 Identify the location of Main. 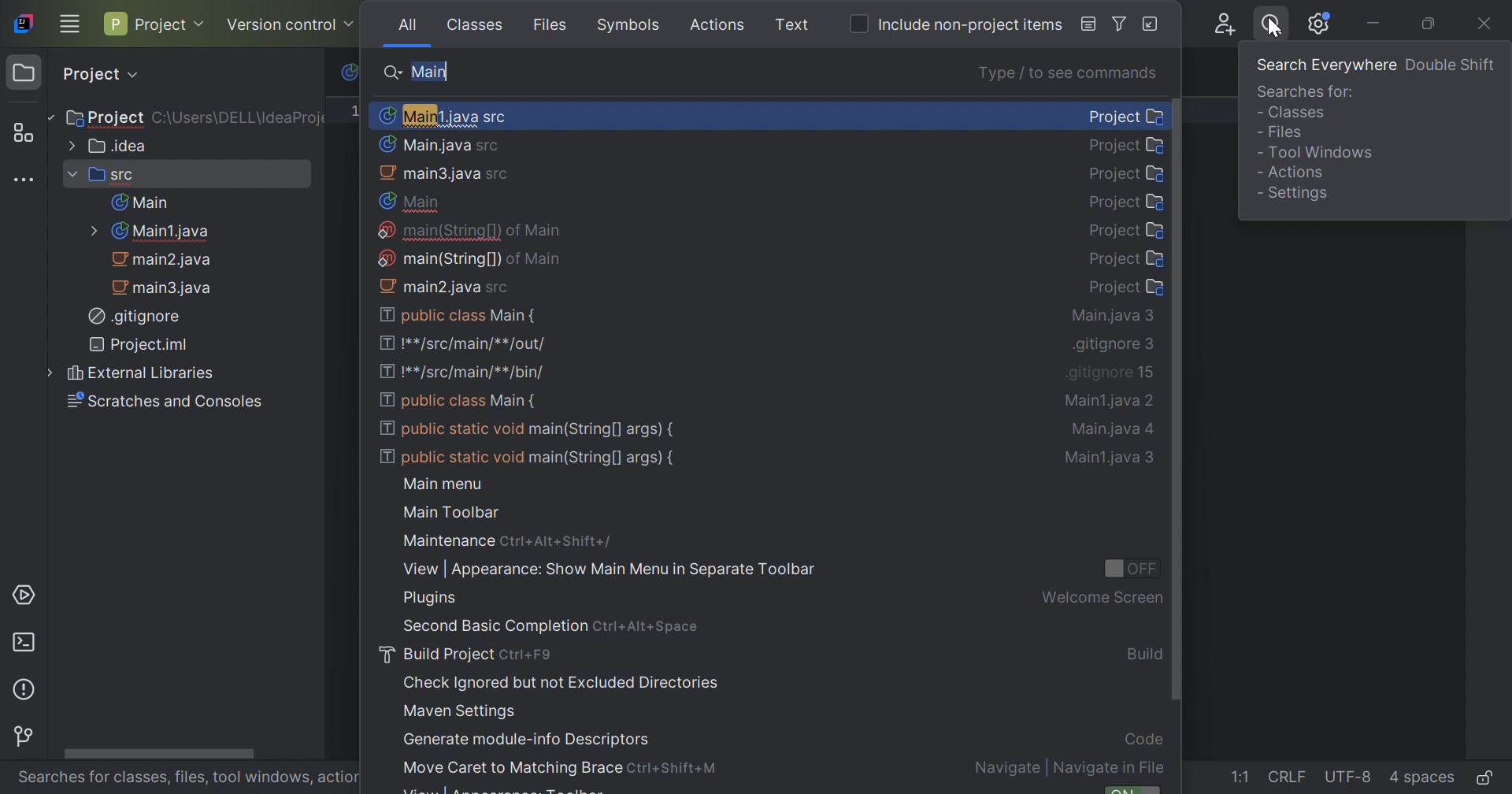
(431, 70).